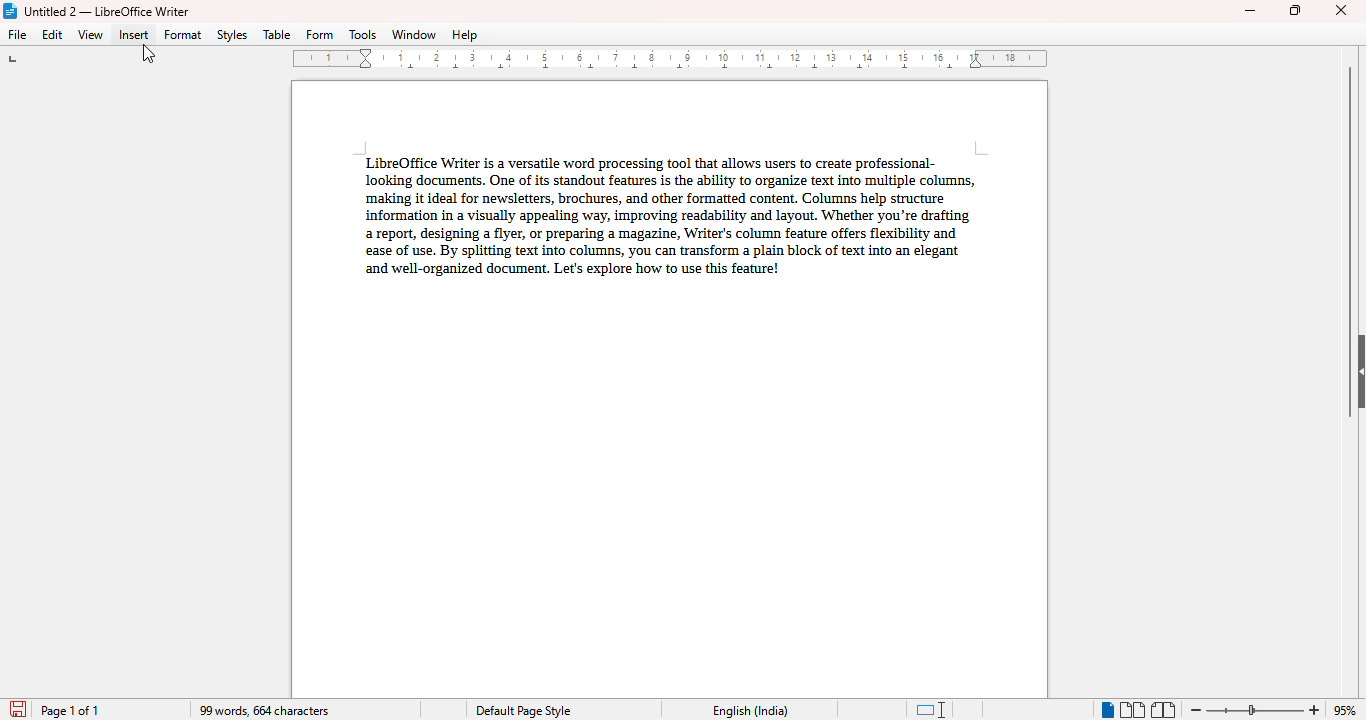  I want to click on tools, so click(363, 35).